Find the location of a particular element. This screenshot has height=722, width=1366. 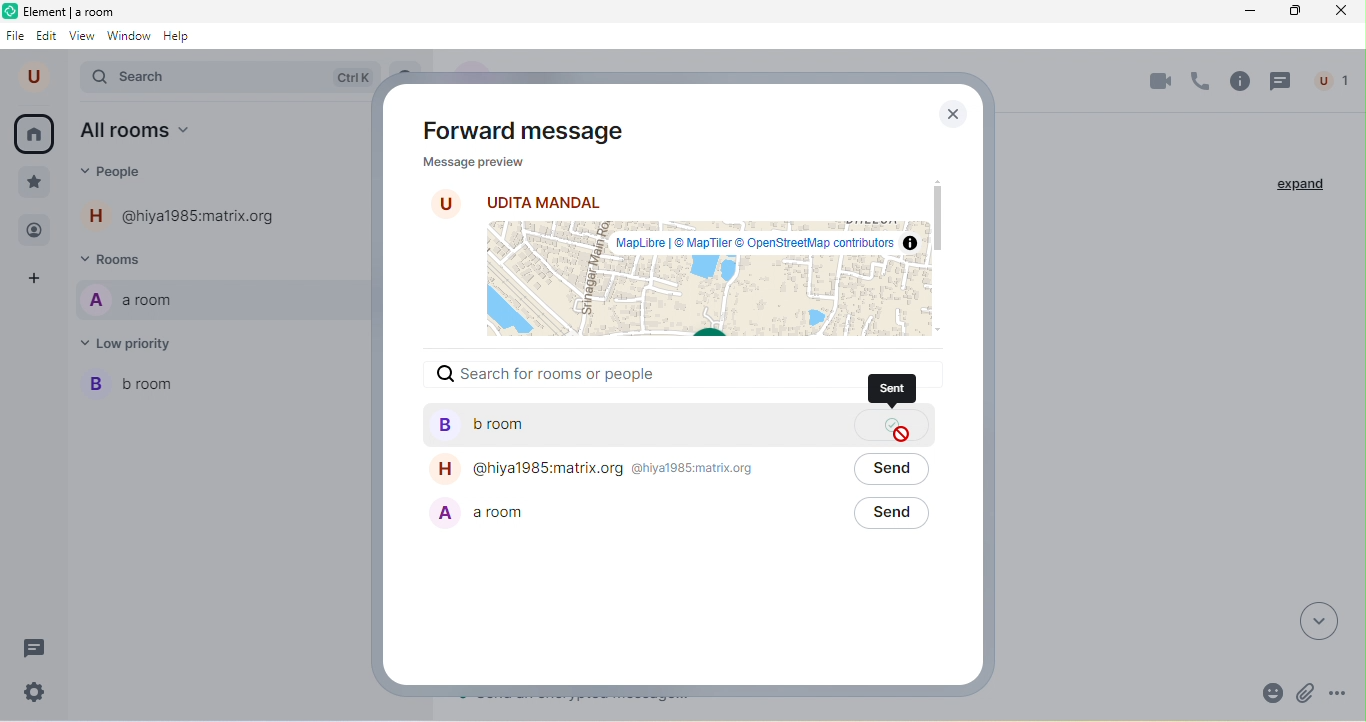

edit is located at coordinates (48, 36).